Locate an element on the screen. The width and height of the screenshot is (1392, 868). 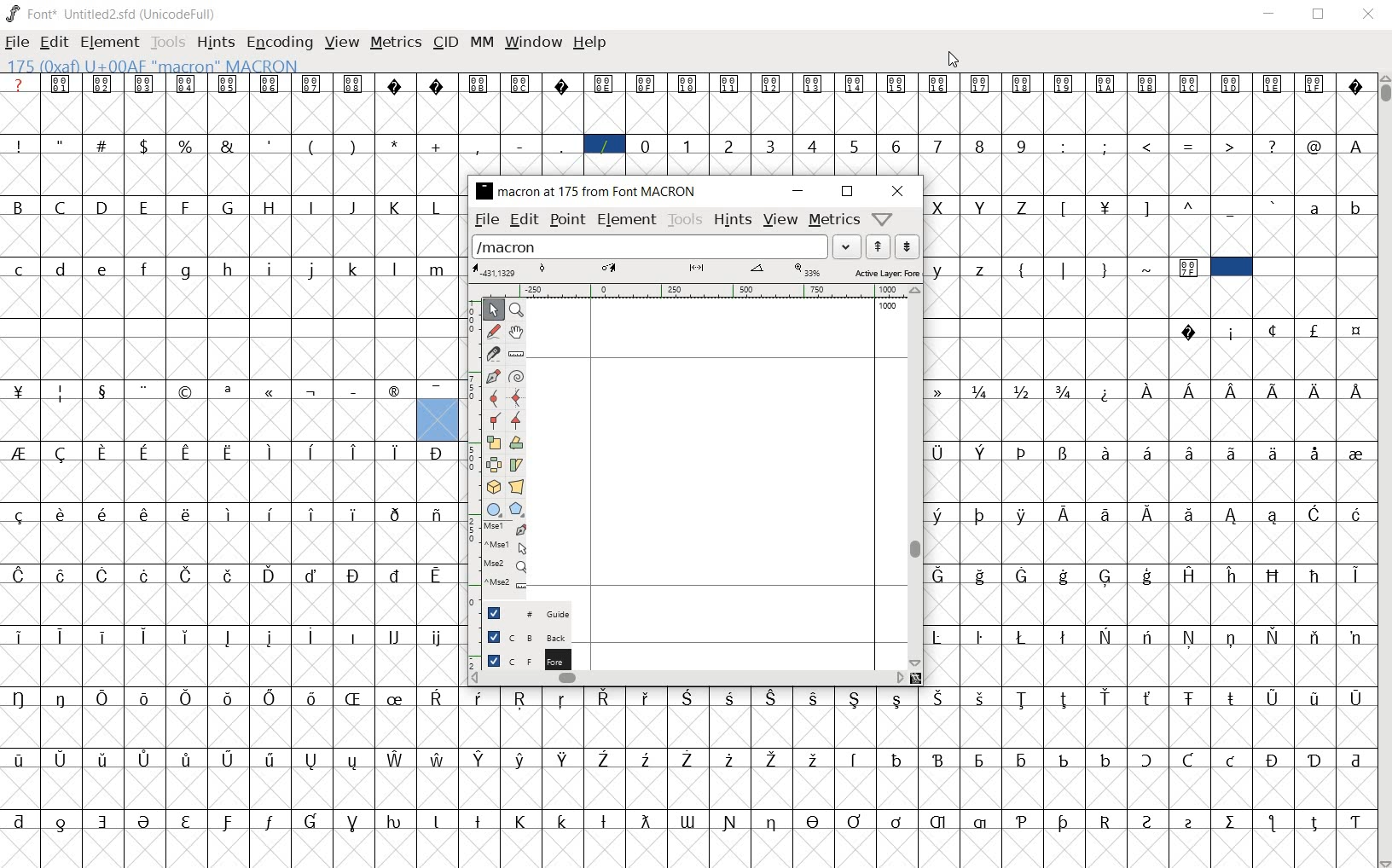
empty spaces is located at coordinates (1049, 328).